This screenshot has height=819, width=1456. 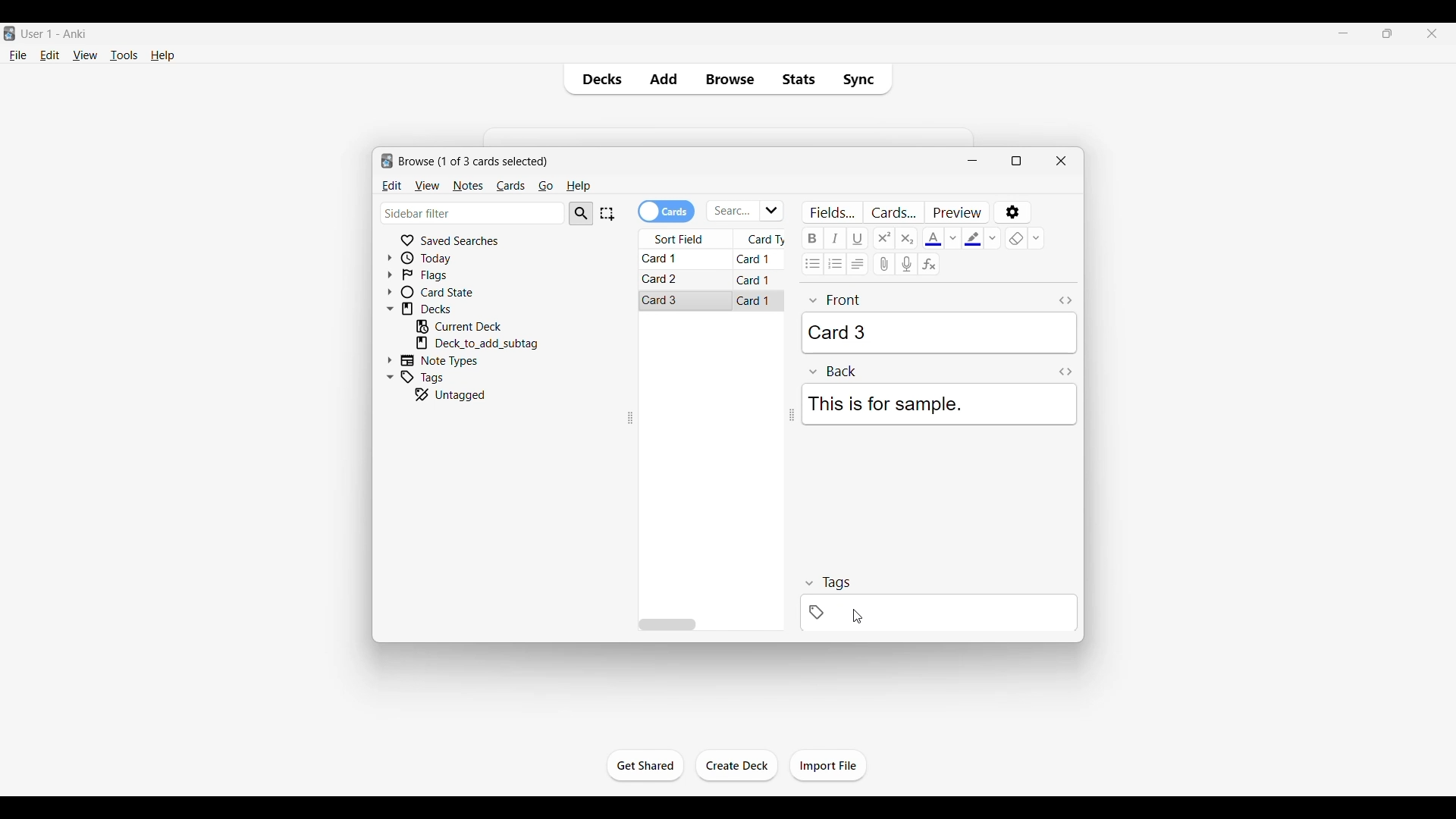 What do you see at coordinates (883, 264) in the screenshot?
I see `Attach audio/video/picture` at bounding box center [883, 264].